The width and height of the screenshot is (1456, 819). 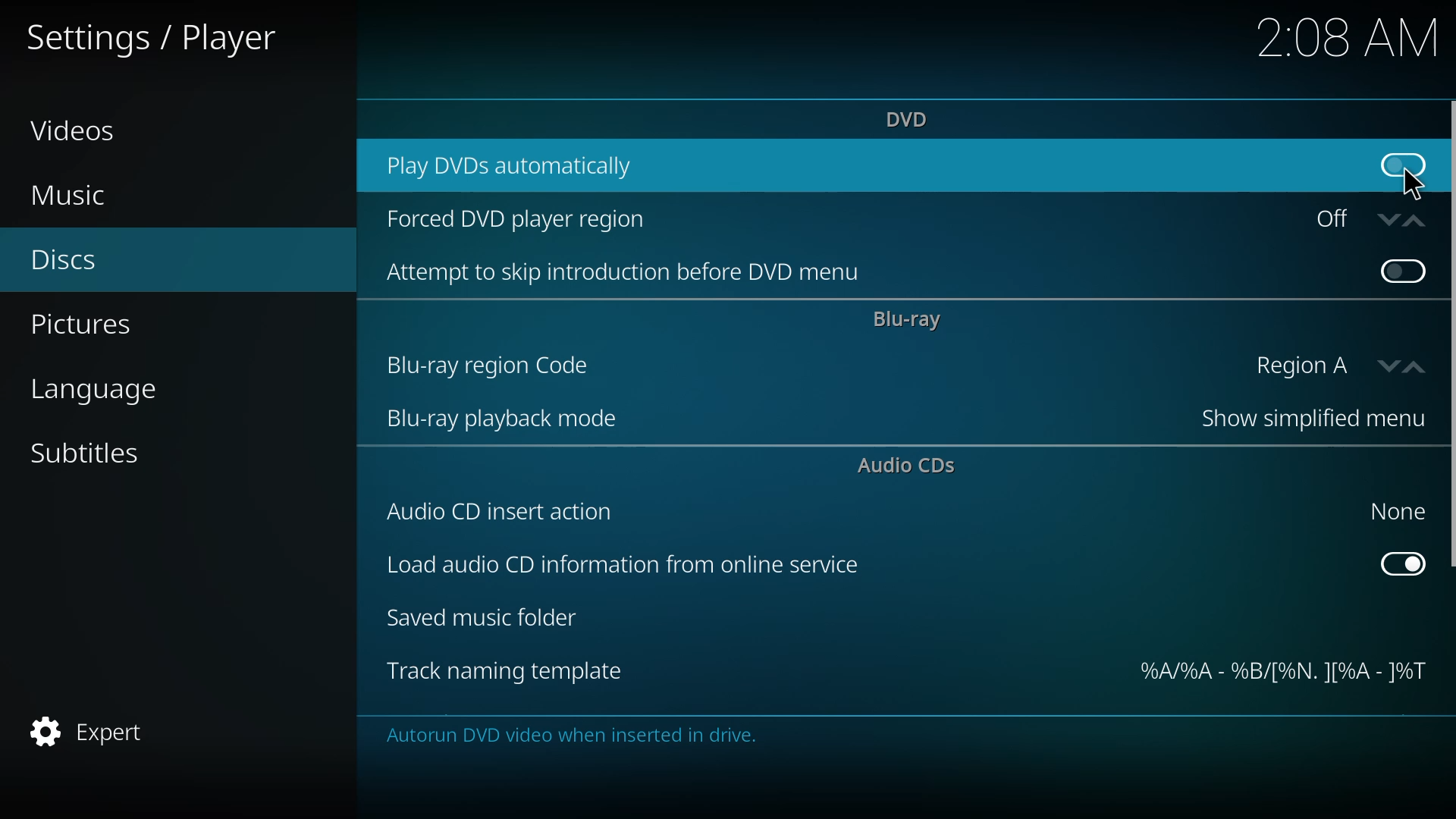 What do you see at coordinates (160, 36) in the screenshot?
I see `settings player` at bounding box center [160, 36].